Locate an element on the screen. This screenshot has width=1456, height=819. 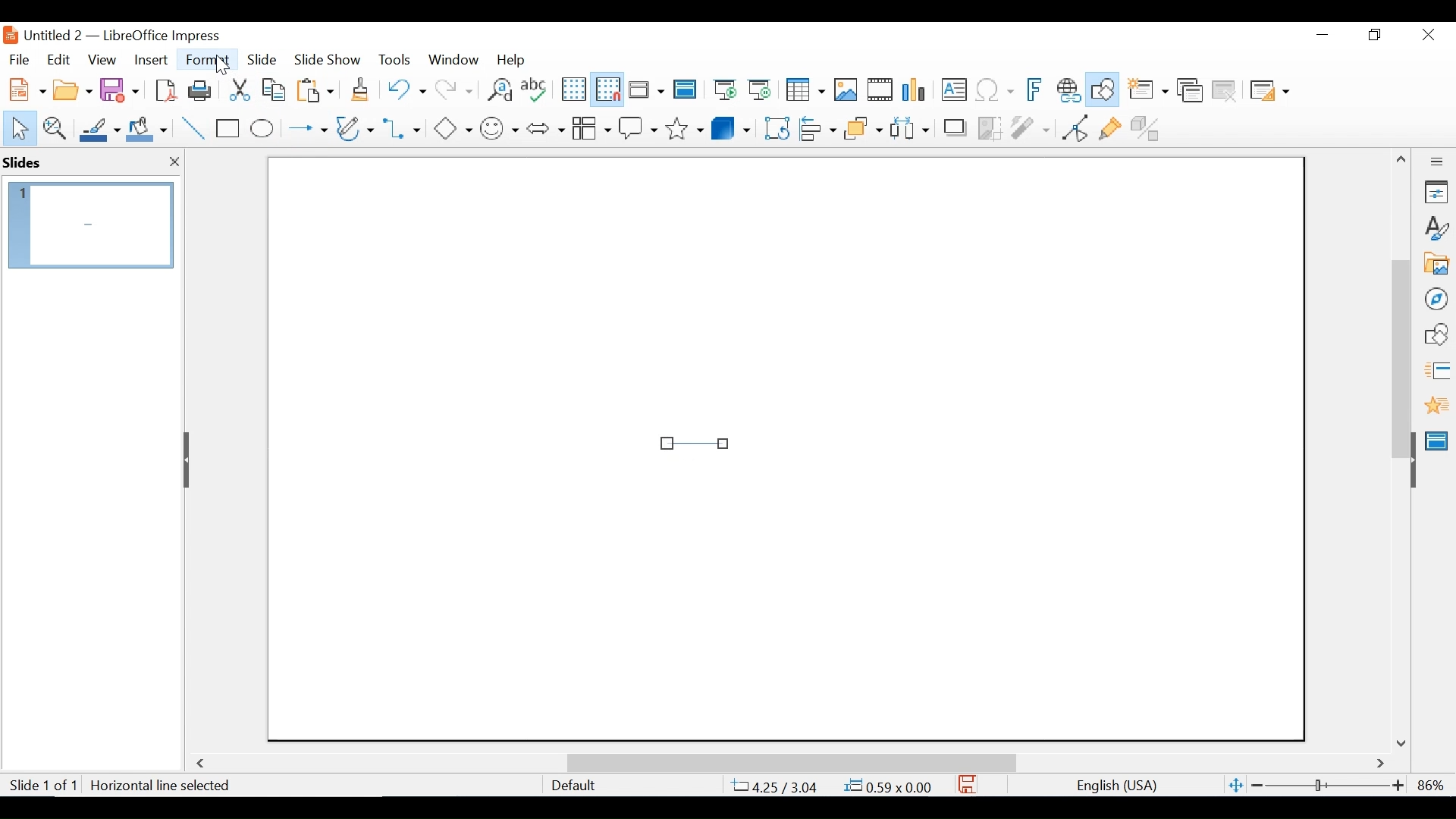
File is located at coordinates (19, 58).